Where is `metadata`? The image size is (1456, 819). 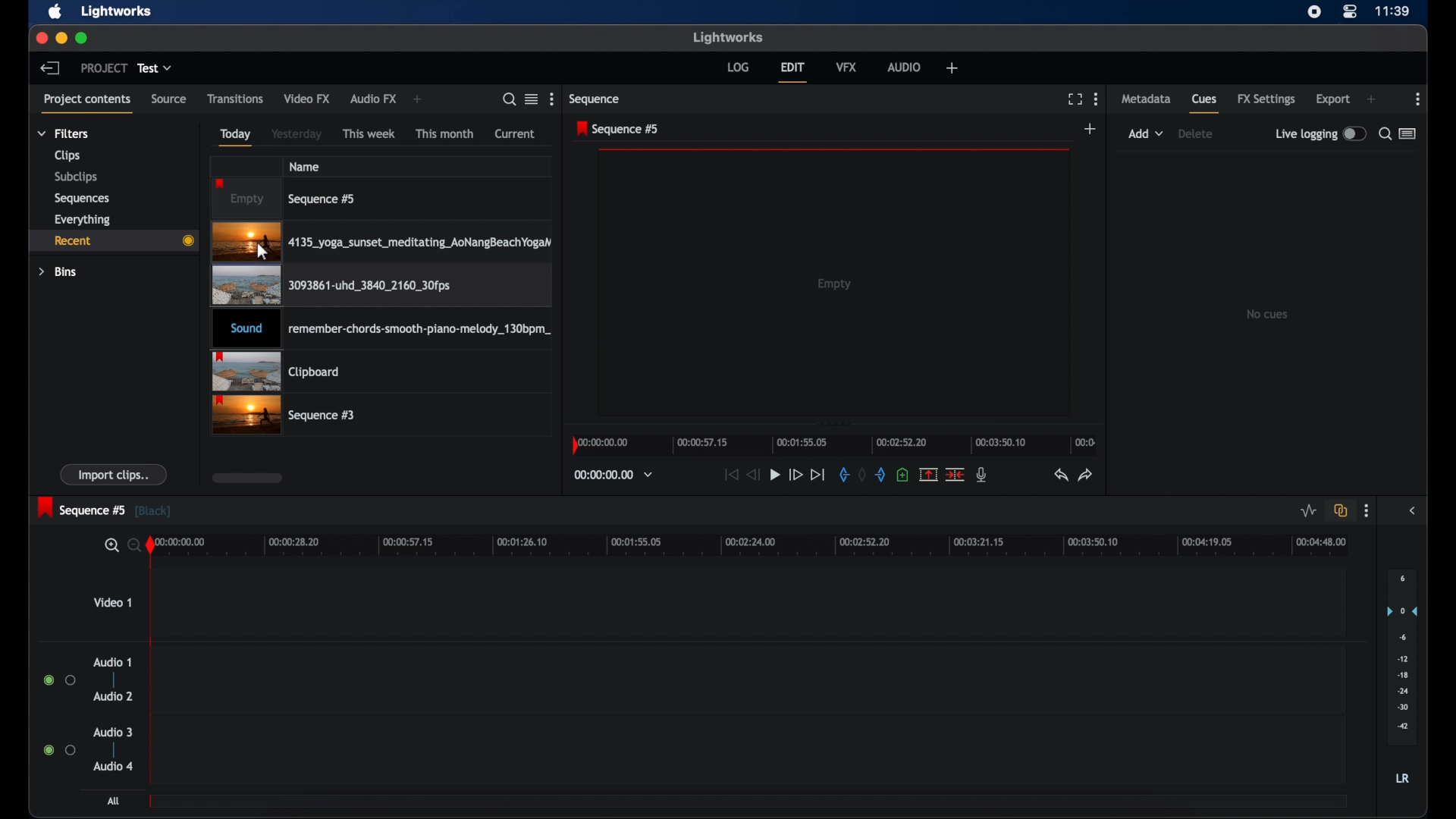 metadata is located at coordinates (1145, 99).